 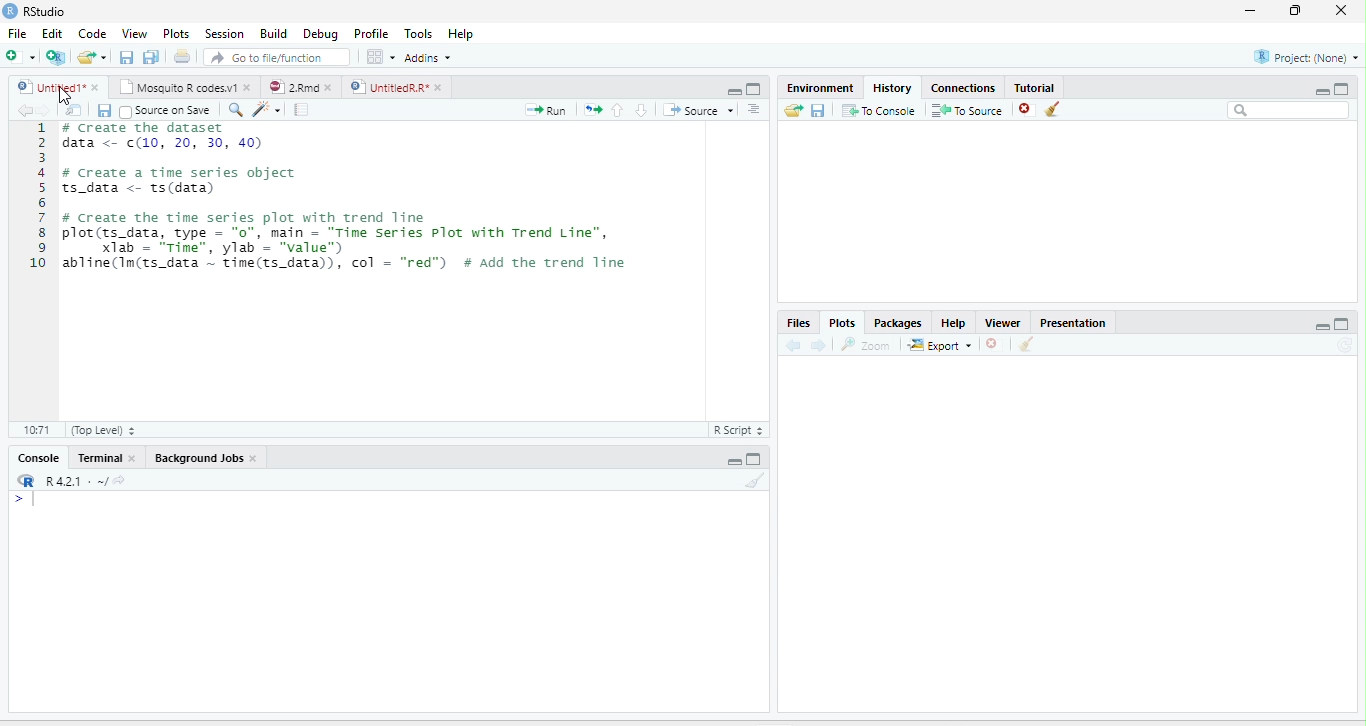 What do you see at coordinates (954, 323) in the screenshot?
I see `Help` at bounding box center [954, 323].